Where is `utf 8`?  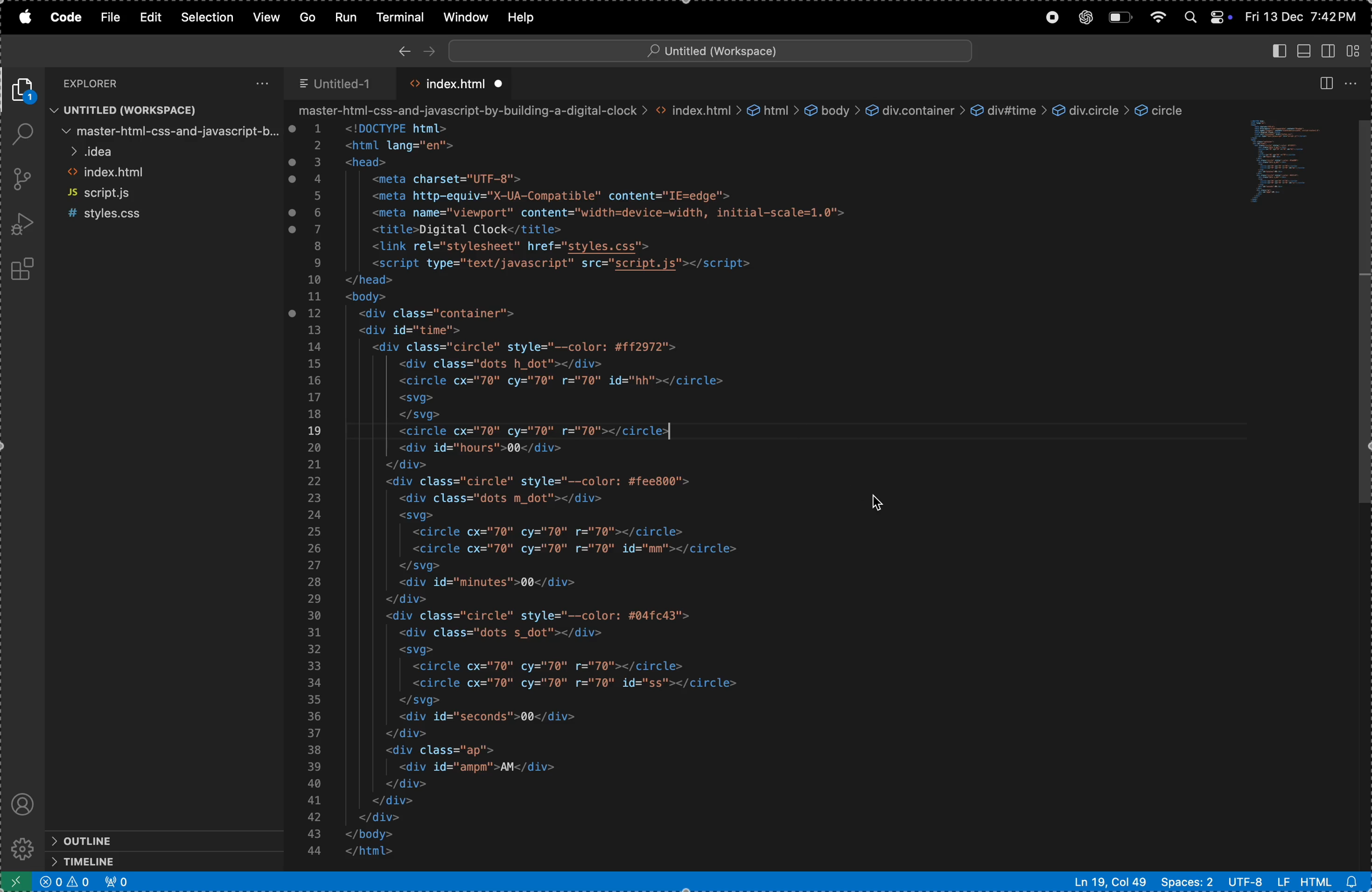 utf 8 is located at coordinates (1257, 881).